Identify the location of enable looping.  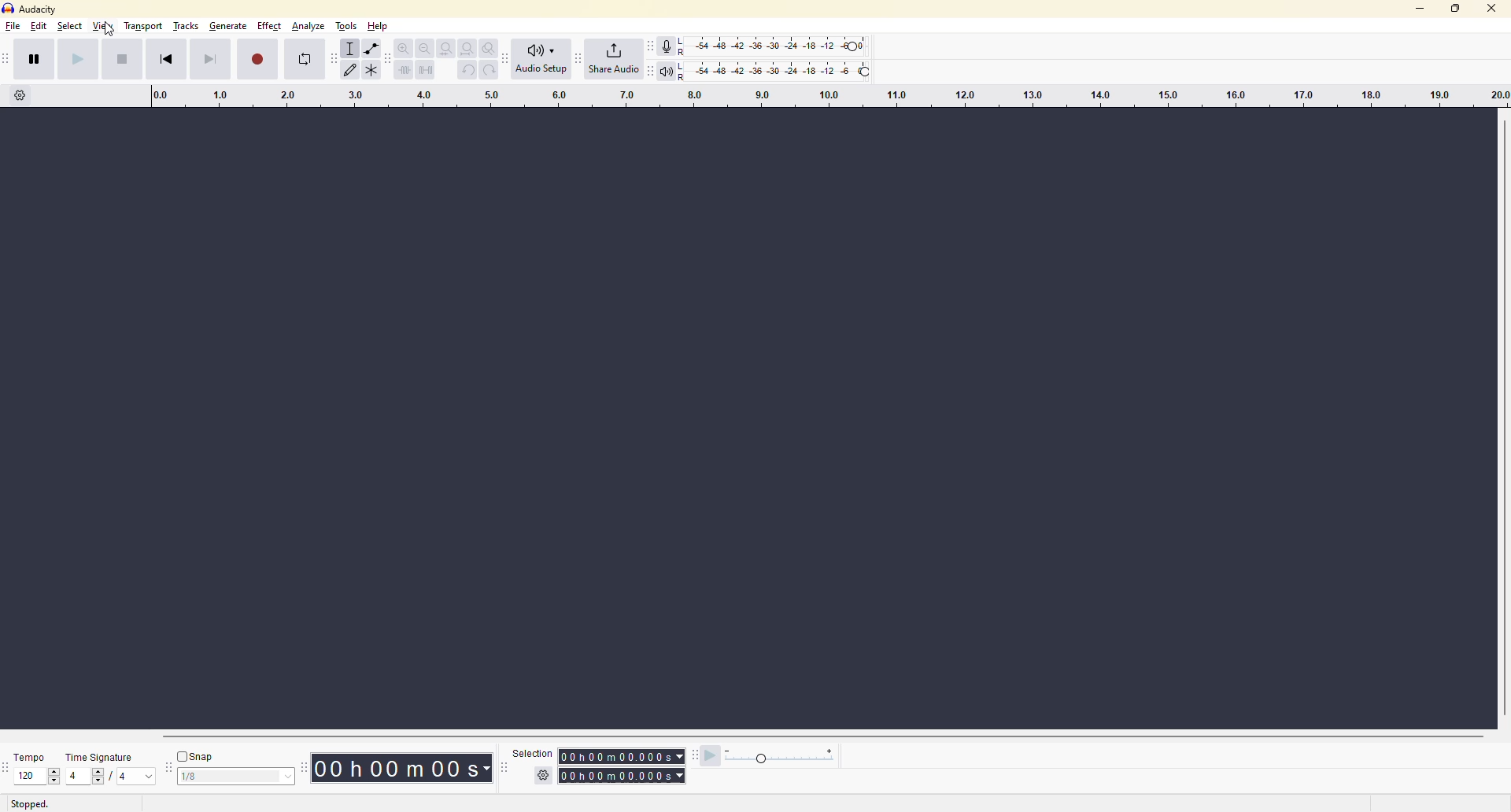
(305, 61).